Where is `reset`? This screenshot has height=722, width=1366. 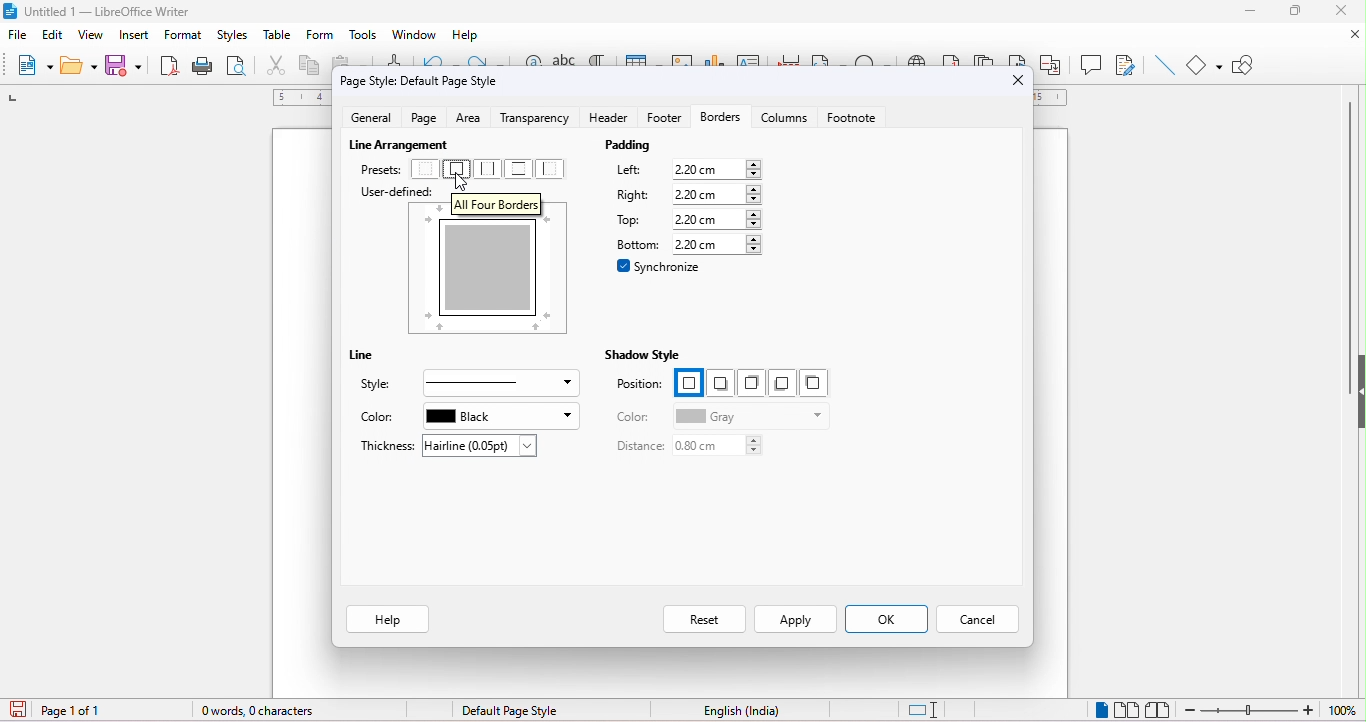
reset is located at coordinates (701, 617).